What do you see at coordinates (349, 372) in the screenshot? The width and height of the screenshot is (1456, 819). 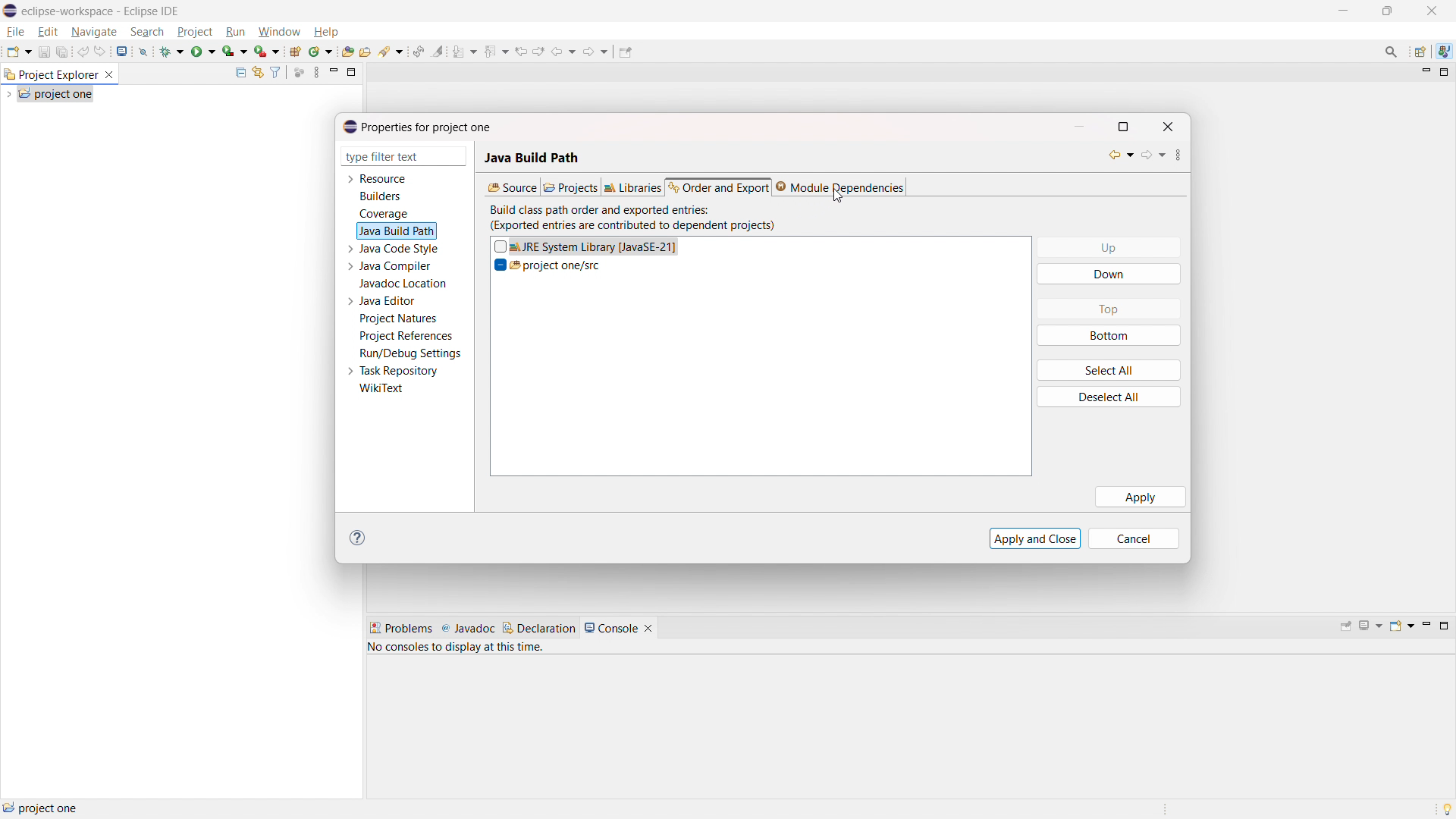 I see `expand task repository` at bounding box center [349, 372].